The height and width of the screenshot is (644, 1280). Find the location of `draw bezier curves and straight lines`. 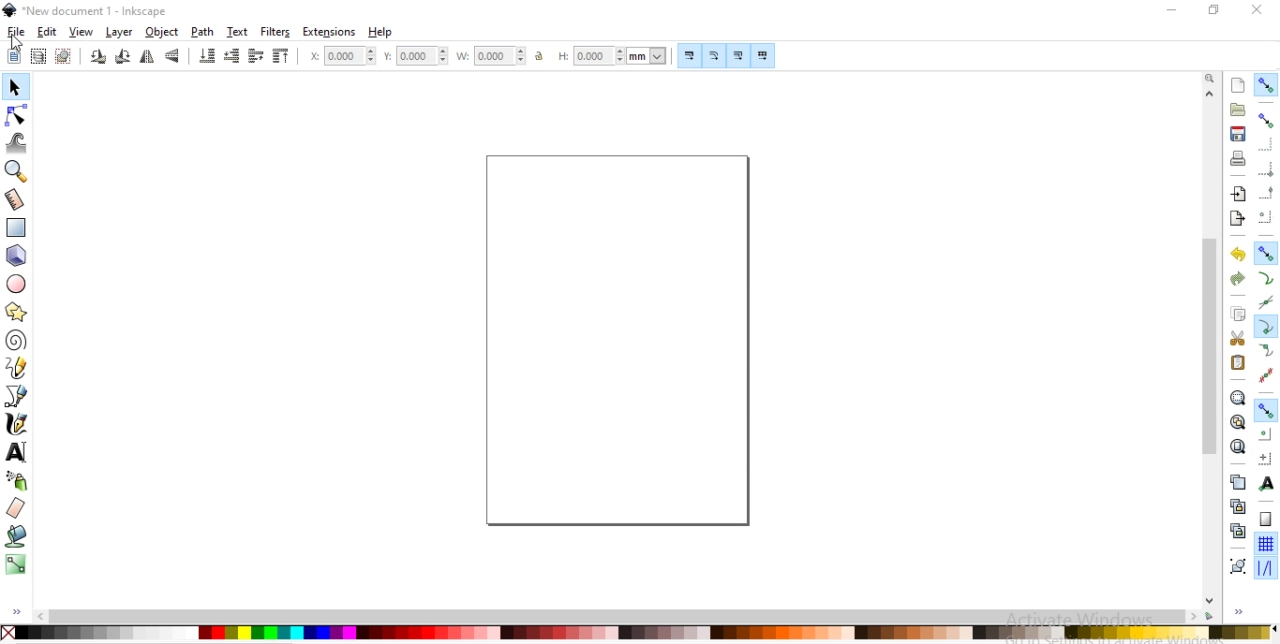

draw bezier curves and straight lines is located at coordinates (17, 394).